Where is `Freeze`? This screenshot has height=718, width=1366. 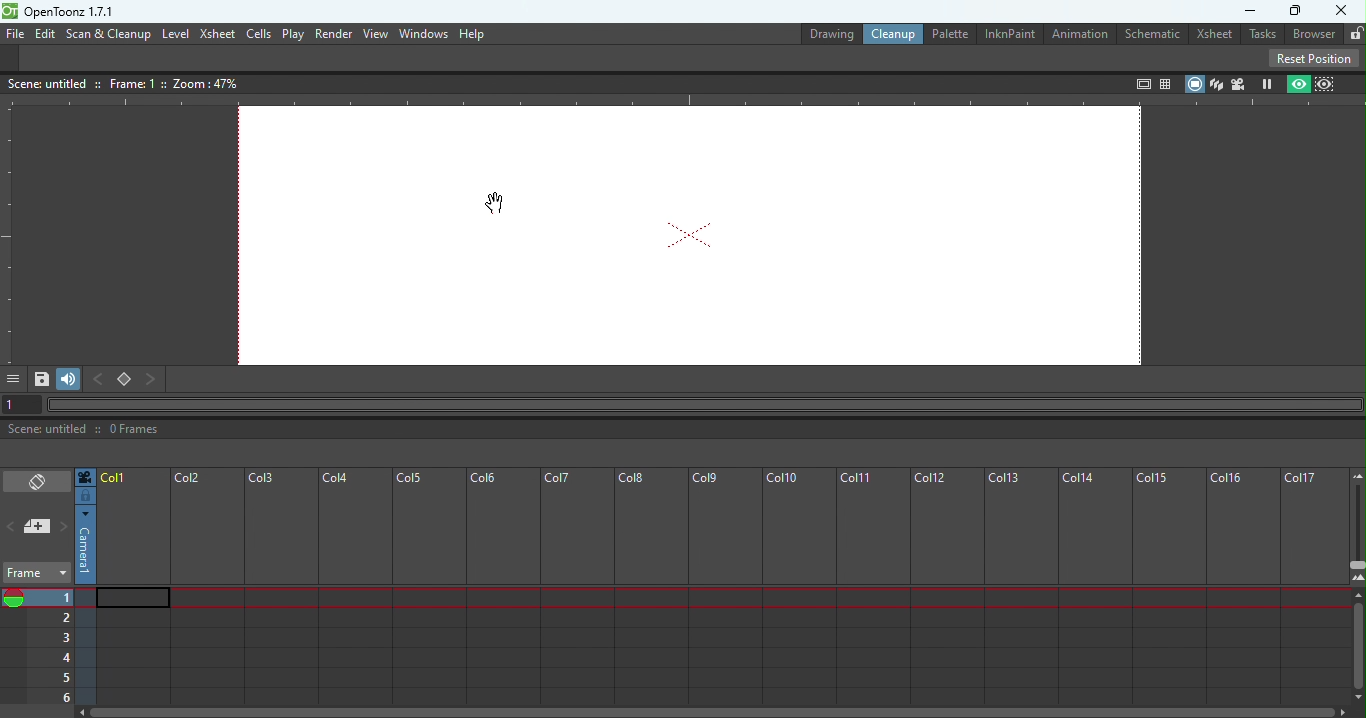
Freeze is located at coordinates (1267, 83).